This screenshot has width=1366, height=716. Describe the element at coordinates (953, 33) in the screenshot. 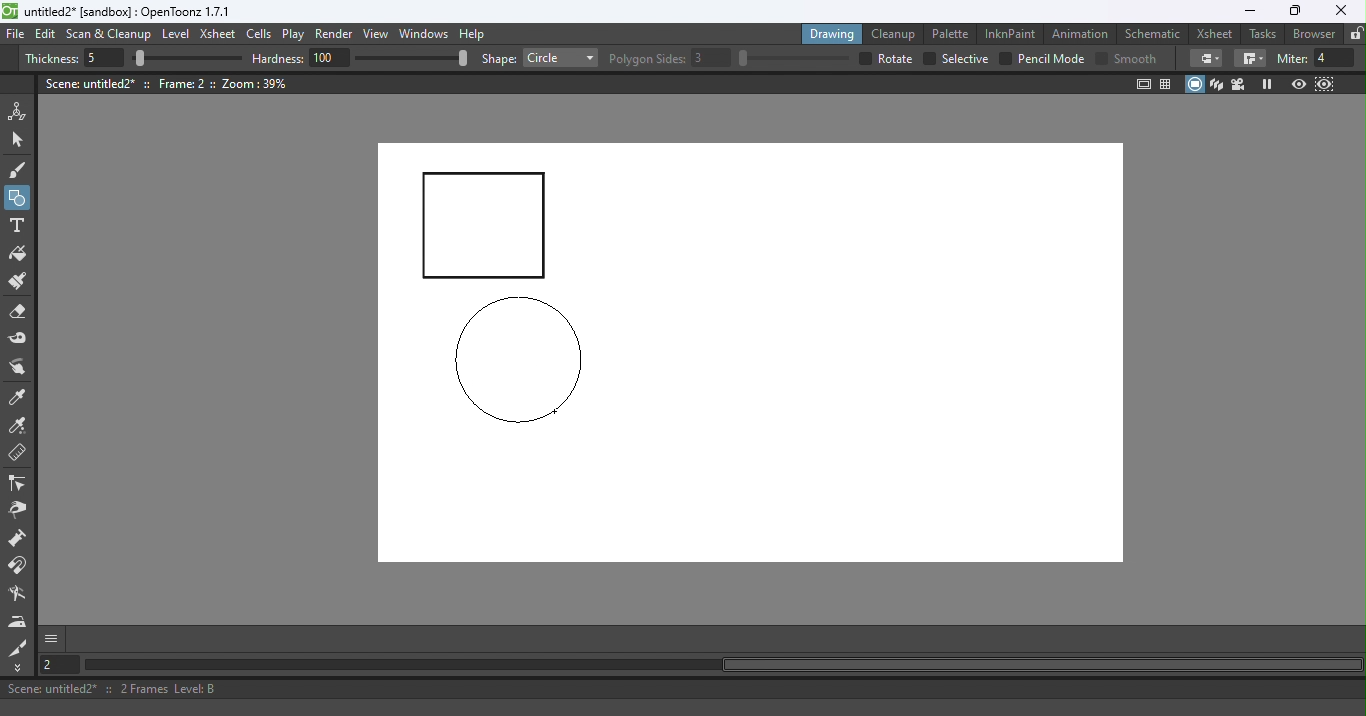

I see `Palette` at that location.